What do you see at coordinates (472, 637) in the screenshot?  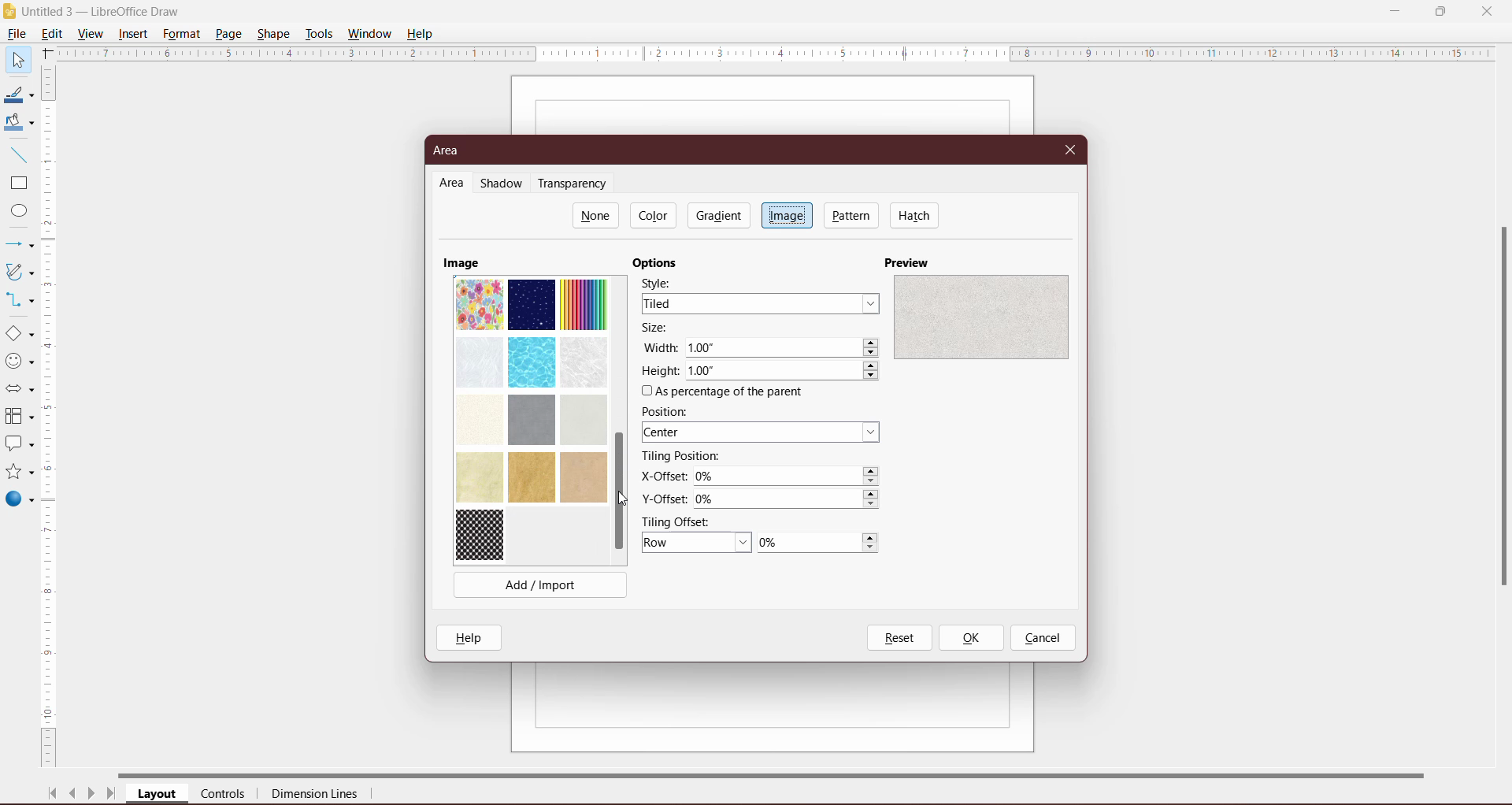 I see `Help` at bounding box center [472, 637].